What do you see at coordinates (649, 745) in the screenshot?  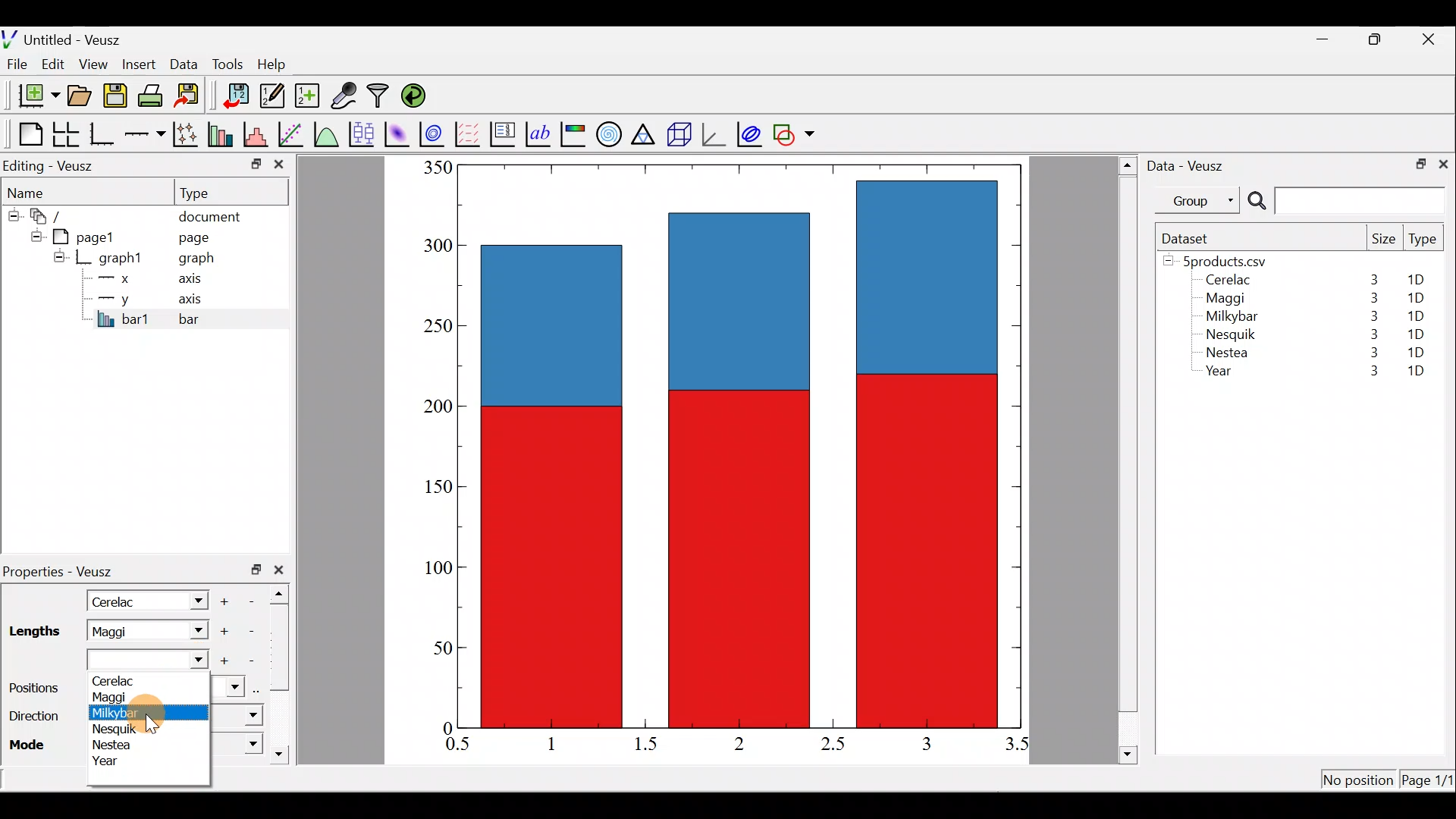 I see `1.5` at bounding box center [649, 745].